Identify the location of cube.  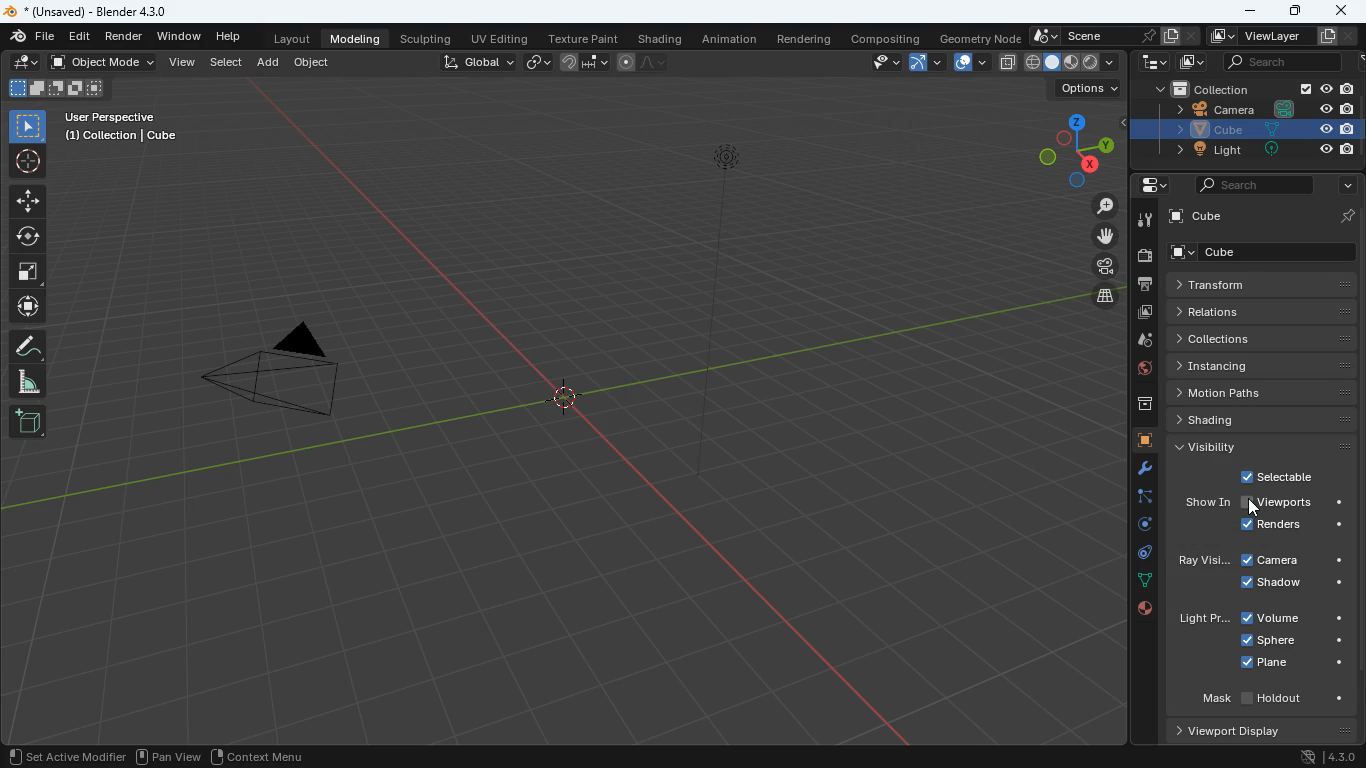
(563, 398).